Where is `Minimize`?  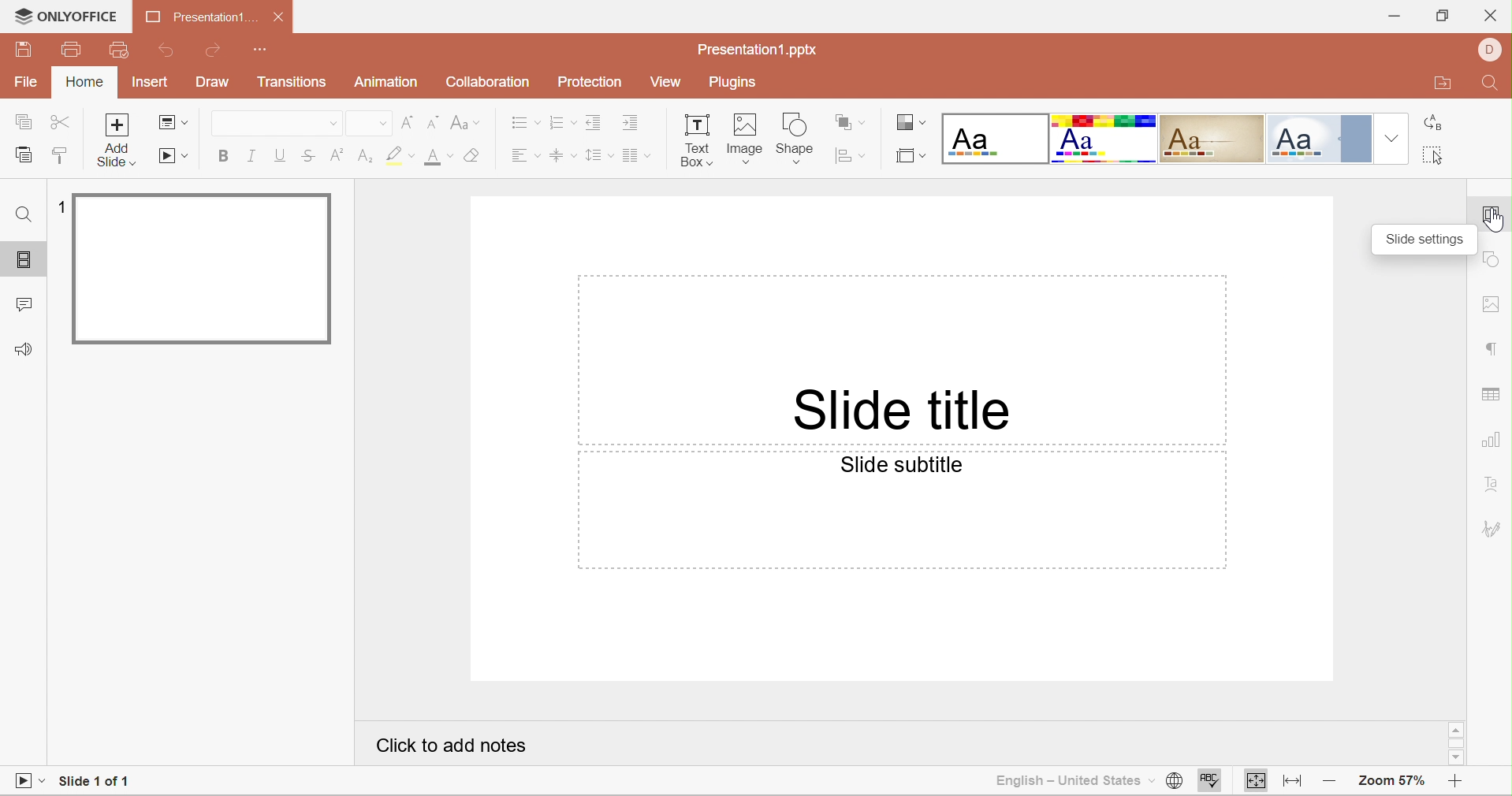 Minimize is located at coordinates (1394, 17).